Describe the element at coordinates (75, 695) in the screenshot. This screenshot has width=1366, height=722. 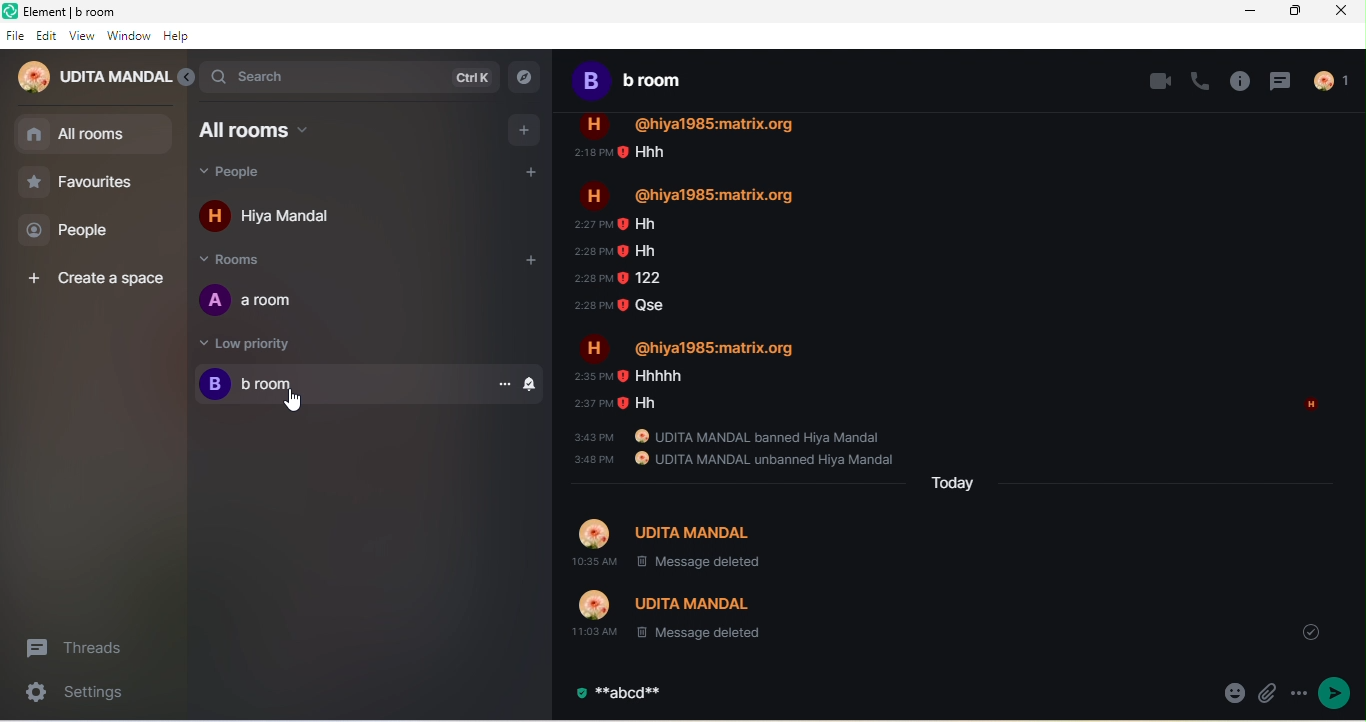
I see `settings` at that location.